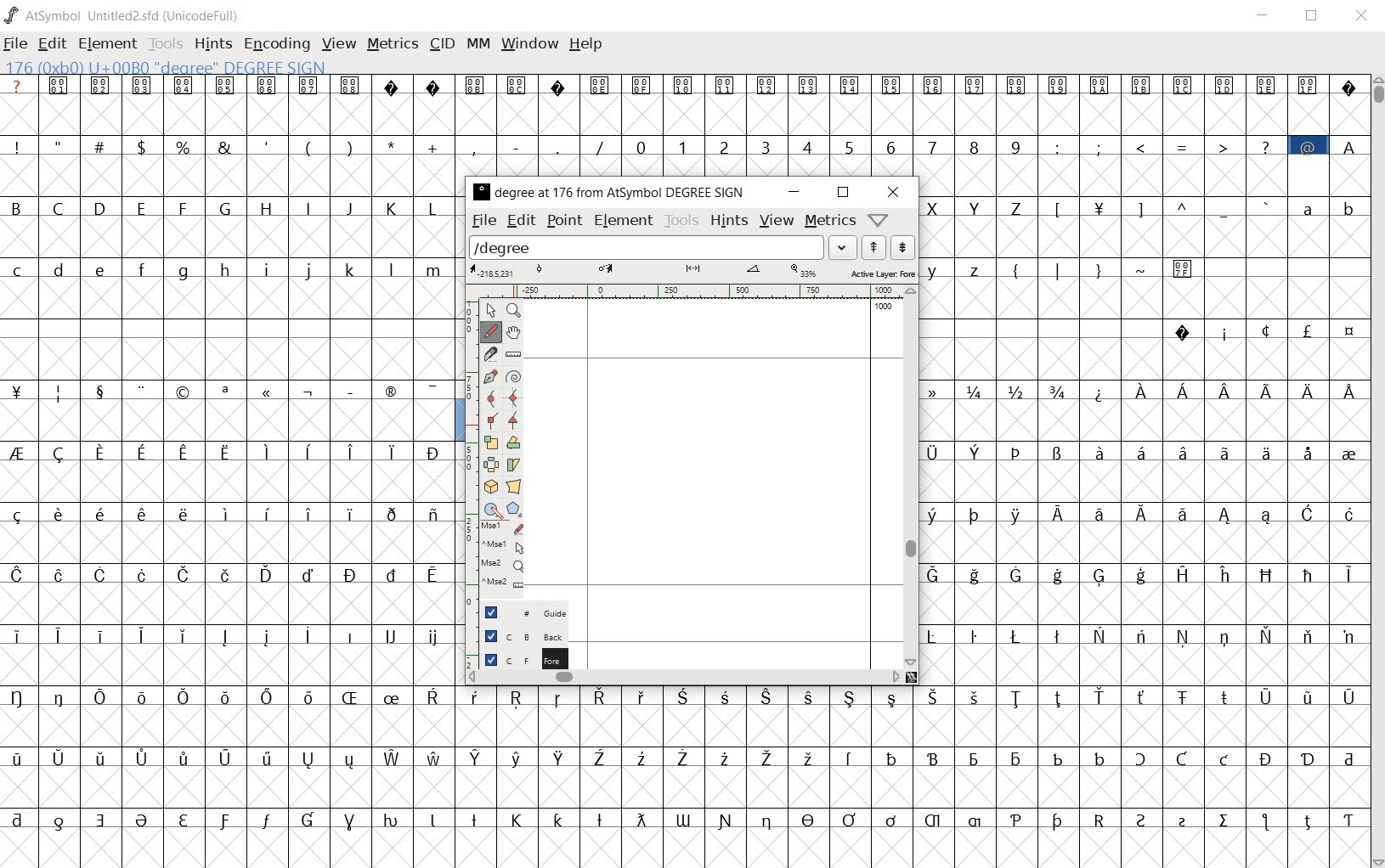 The height and width of the screenshot is (868, 1385). What do you see at coordinates (682, 292) in the screenshot?
I see `ruler` at bounding box center [682, 292].